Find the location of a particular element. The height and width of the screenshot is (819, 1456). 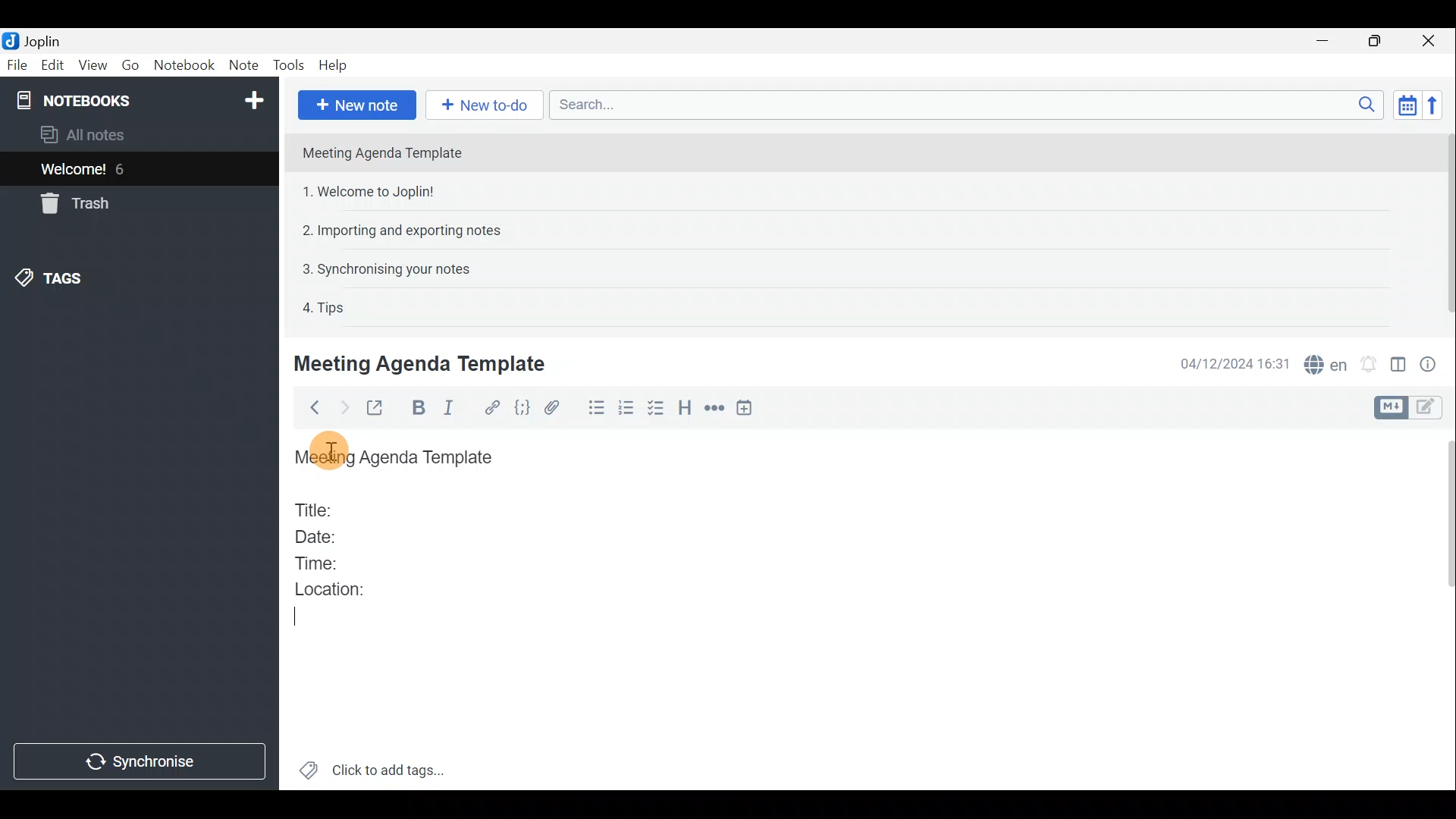

Checkbox is located at coordinates (654, 409).